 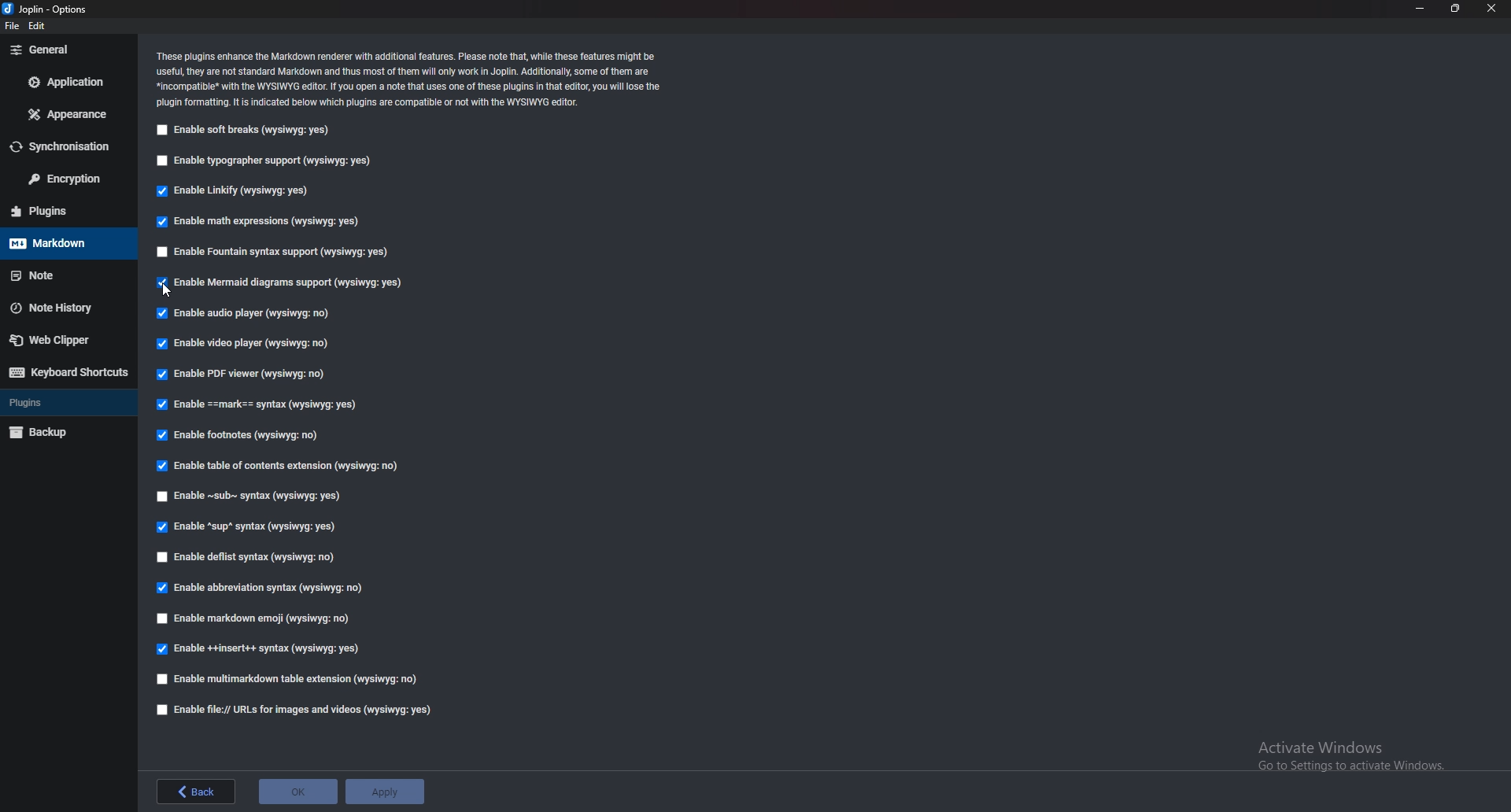 I want to click on note, so click(x=59, y=275).